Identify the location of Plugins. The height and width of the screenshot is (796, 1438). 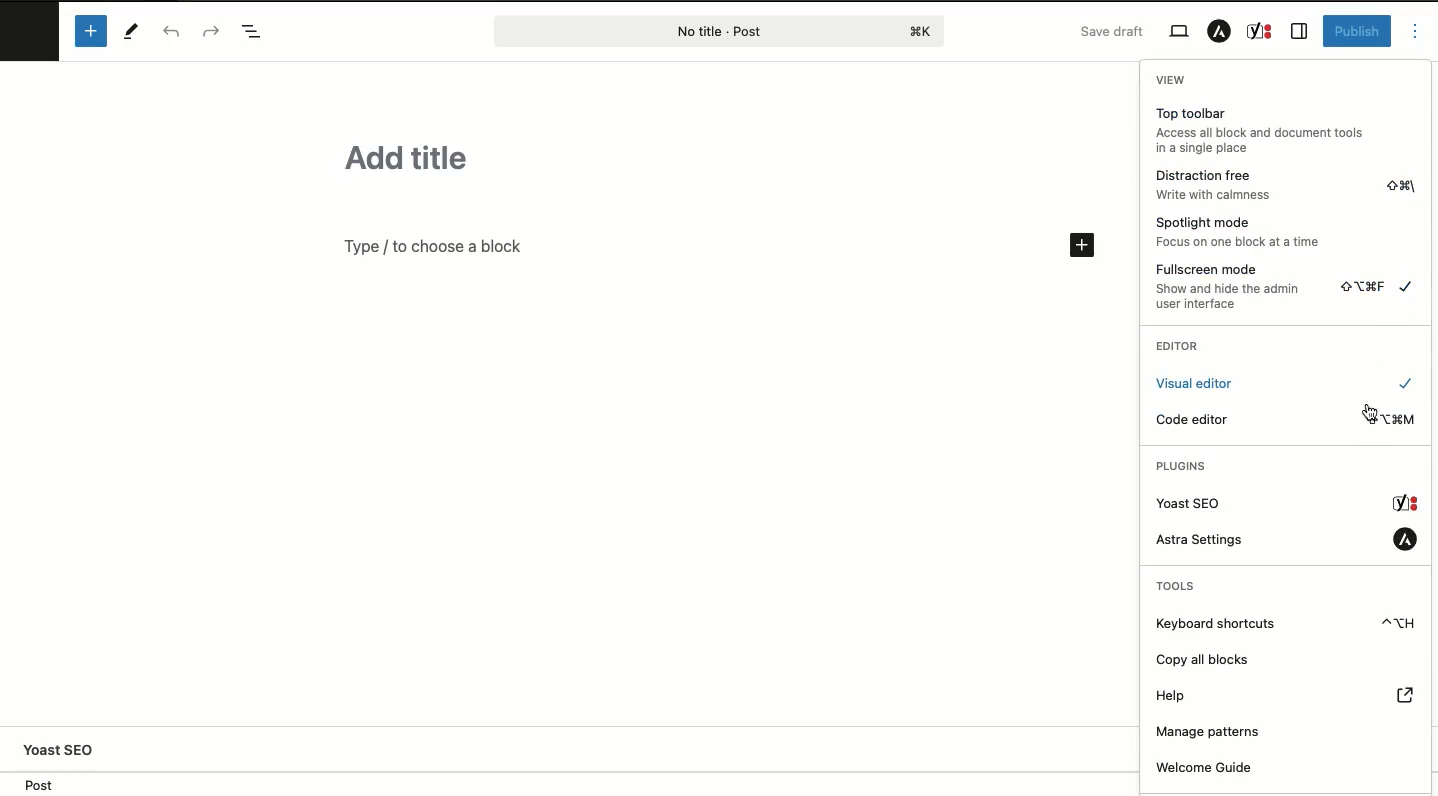
(1182, 467).